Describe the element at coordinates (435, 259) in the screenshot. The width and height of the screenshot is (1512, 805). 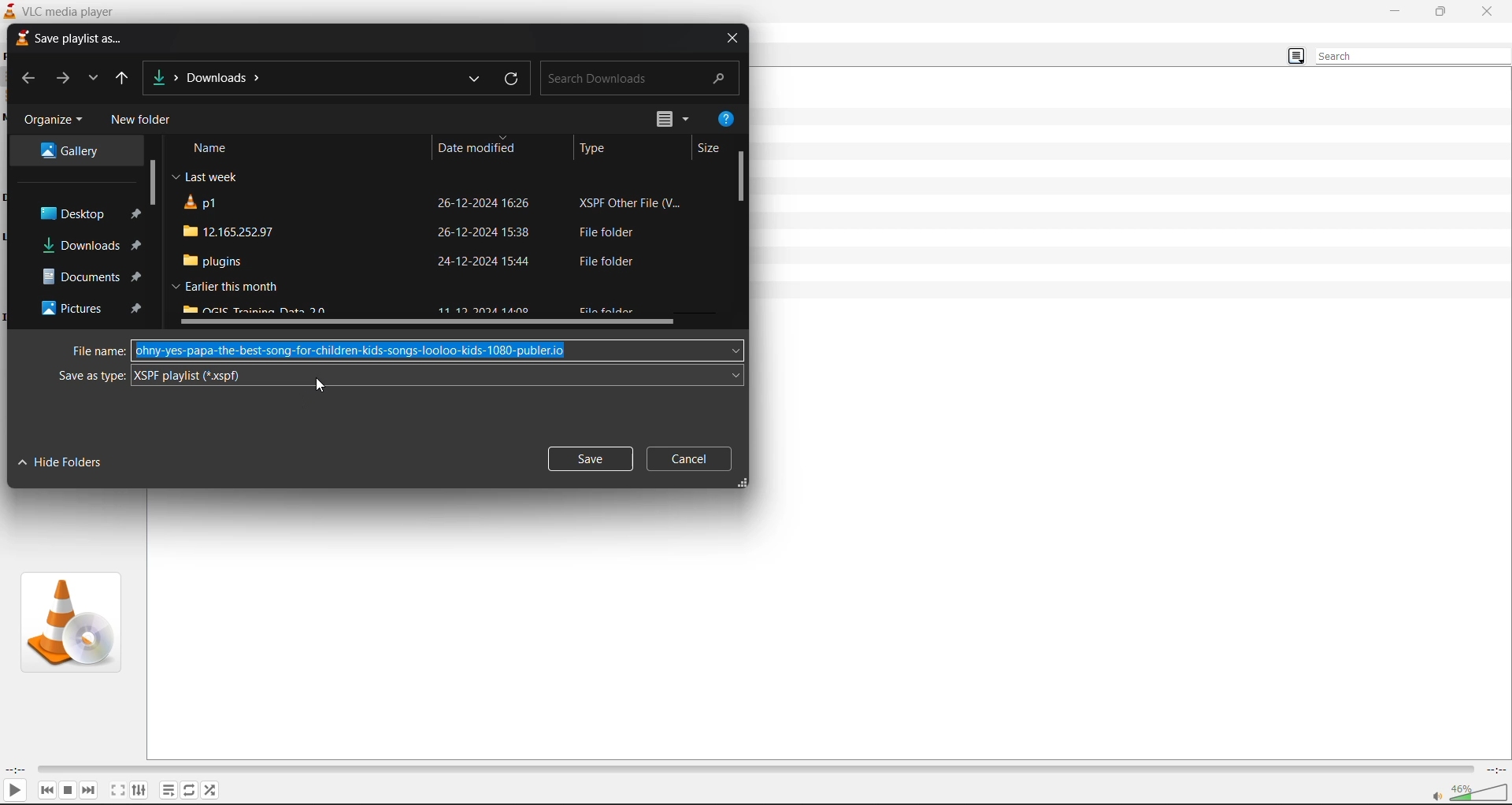
I see `file name , date modified and type` at that location.